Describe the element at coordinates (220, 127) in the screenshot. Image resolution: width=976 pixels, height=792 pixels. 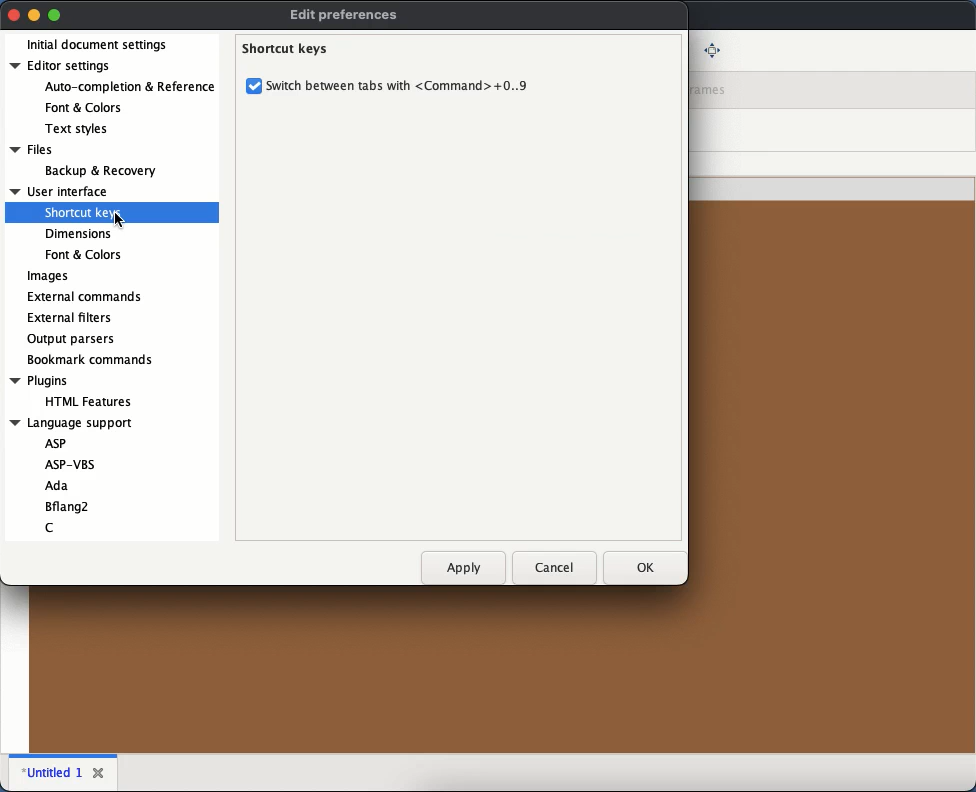
I see `scroll` at that location.